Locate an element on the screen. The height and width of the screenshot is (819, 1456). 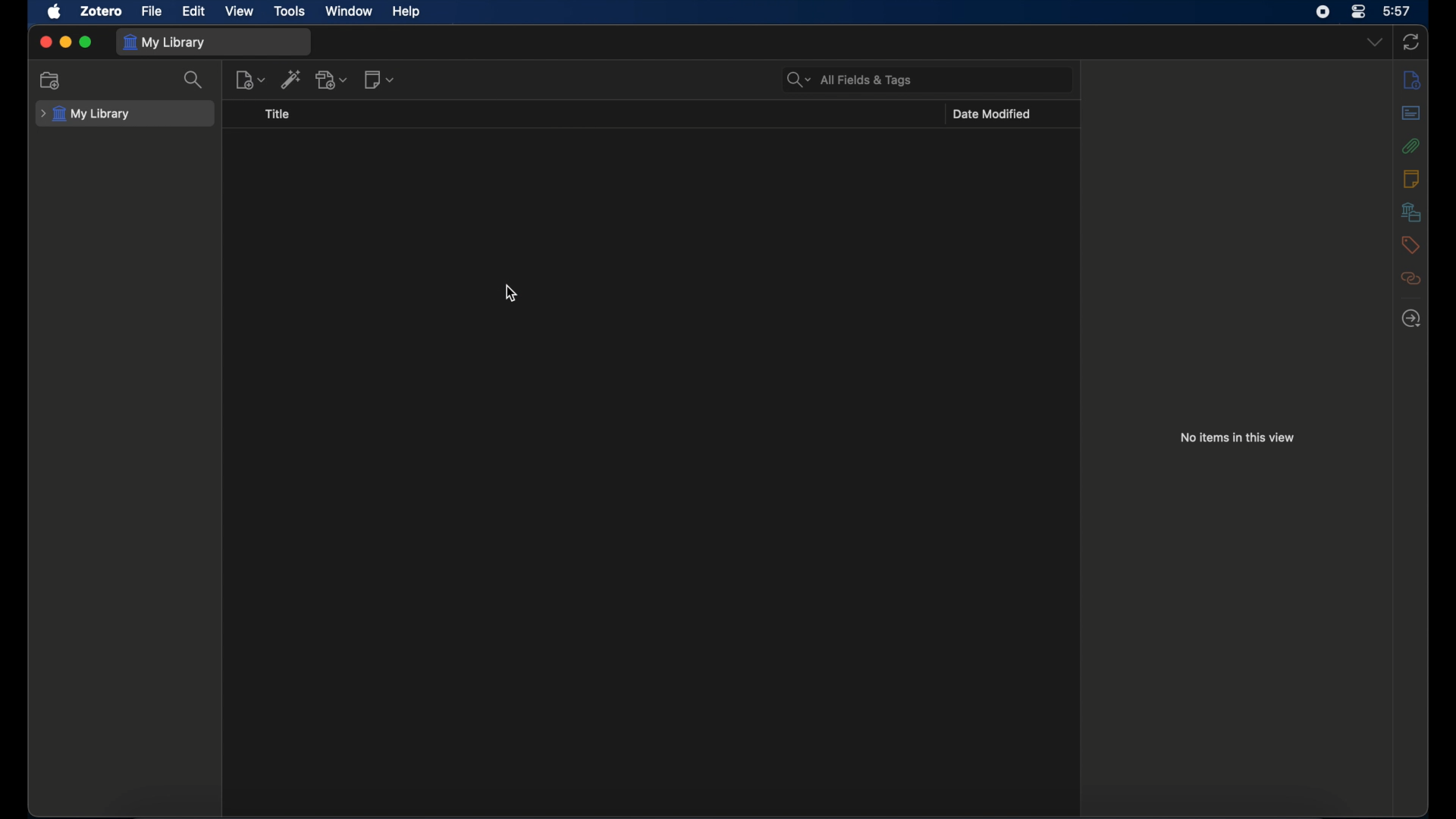
screen recorder  is located at coordinates (1323, 11).